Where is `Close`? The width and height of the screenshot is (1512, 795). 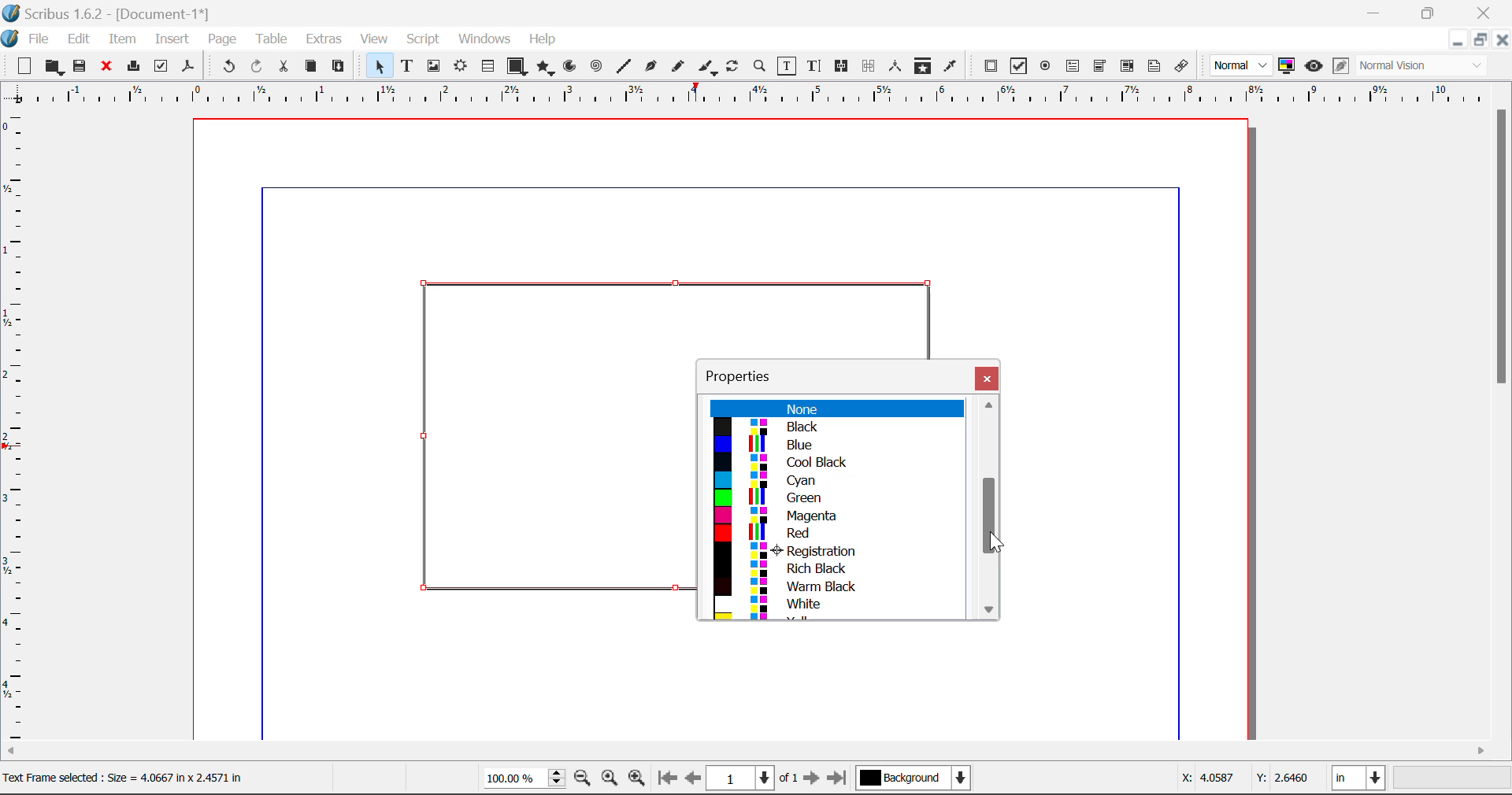
Close is located at coordinates (1503, 39).